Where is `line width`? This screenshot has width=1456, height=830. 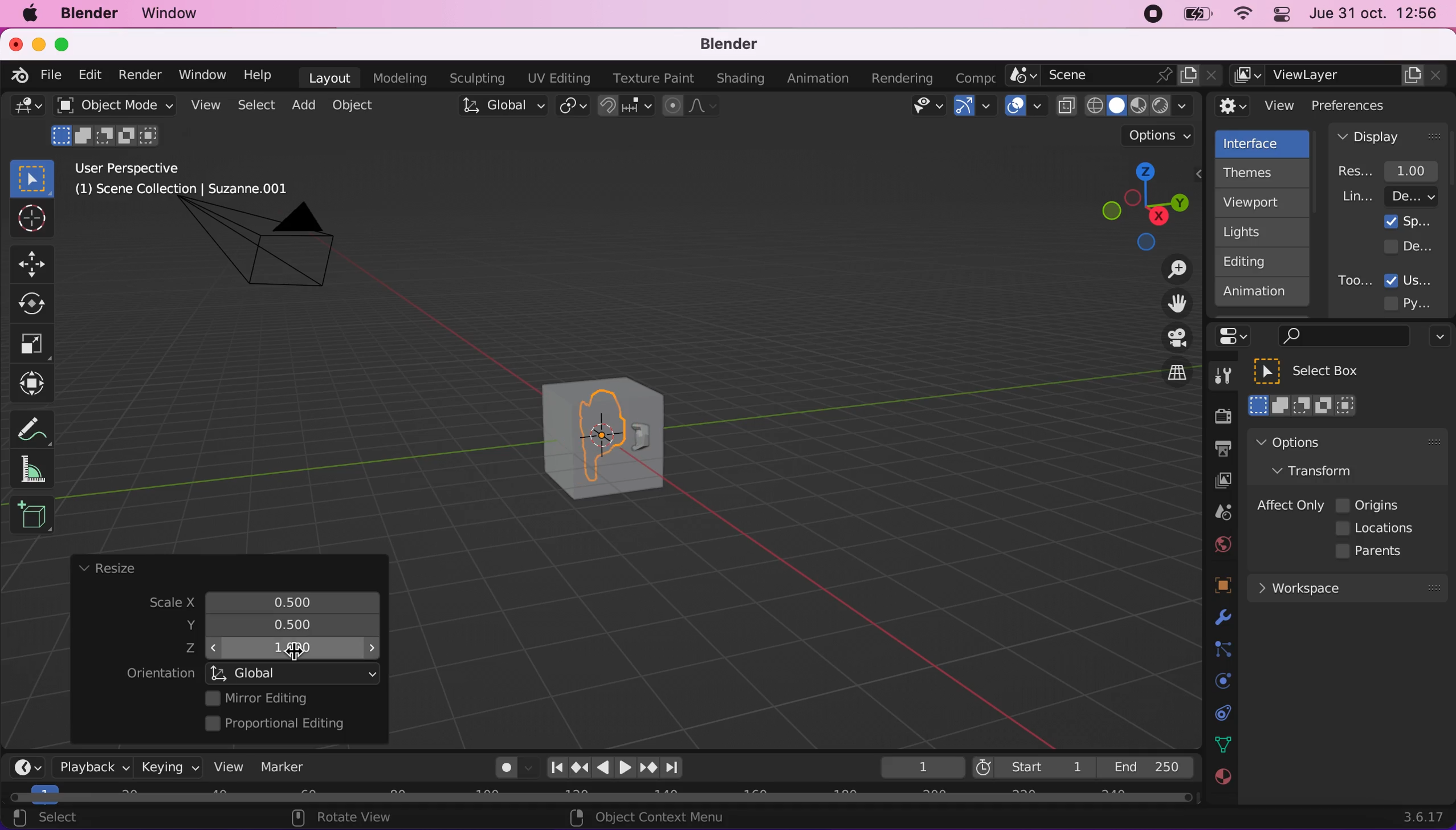
line width is located at coordinates (1389, 196).